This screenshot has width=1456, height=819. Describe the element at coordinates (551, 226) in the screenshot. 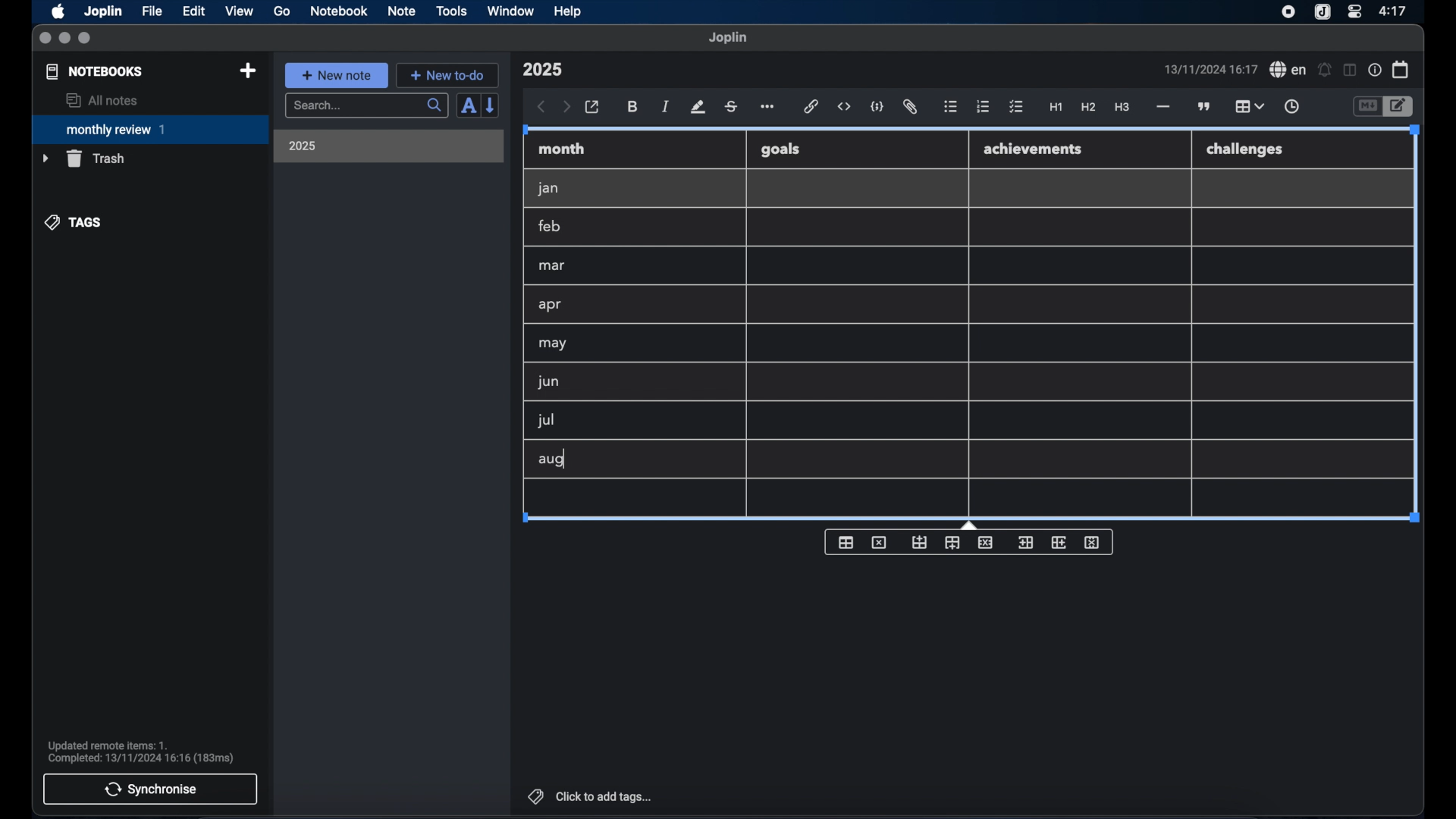

I see `feb` at that location.